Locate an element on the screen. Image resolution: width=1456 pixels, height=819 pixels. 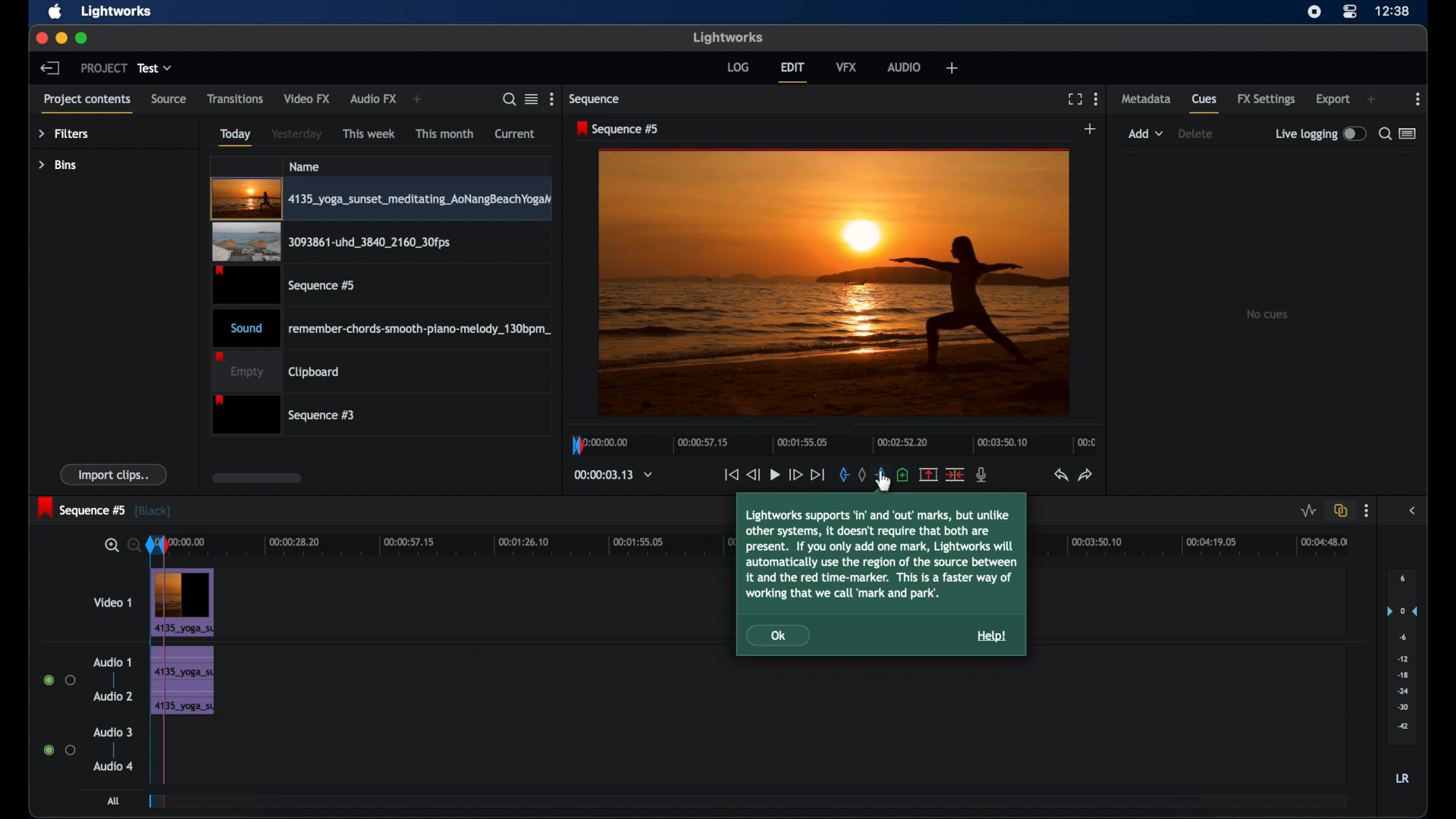
delete is located at coordinates (1198, 134).